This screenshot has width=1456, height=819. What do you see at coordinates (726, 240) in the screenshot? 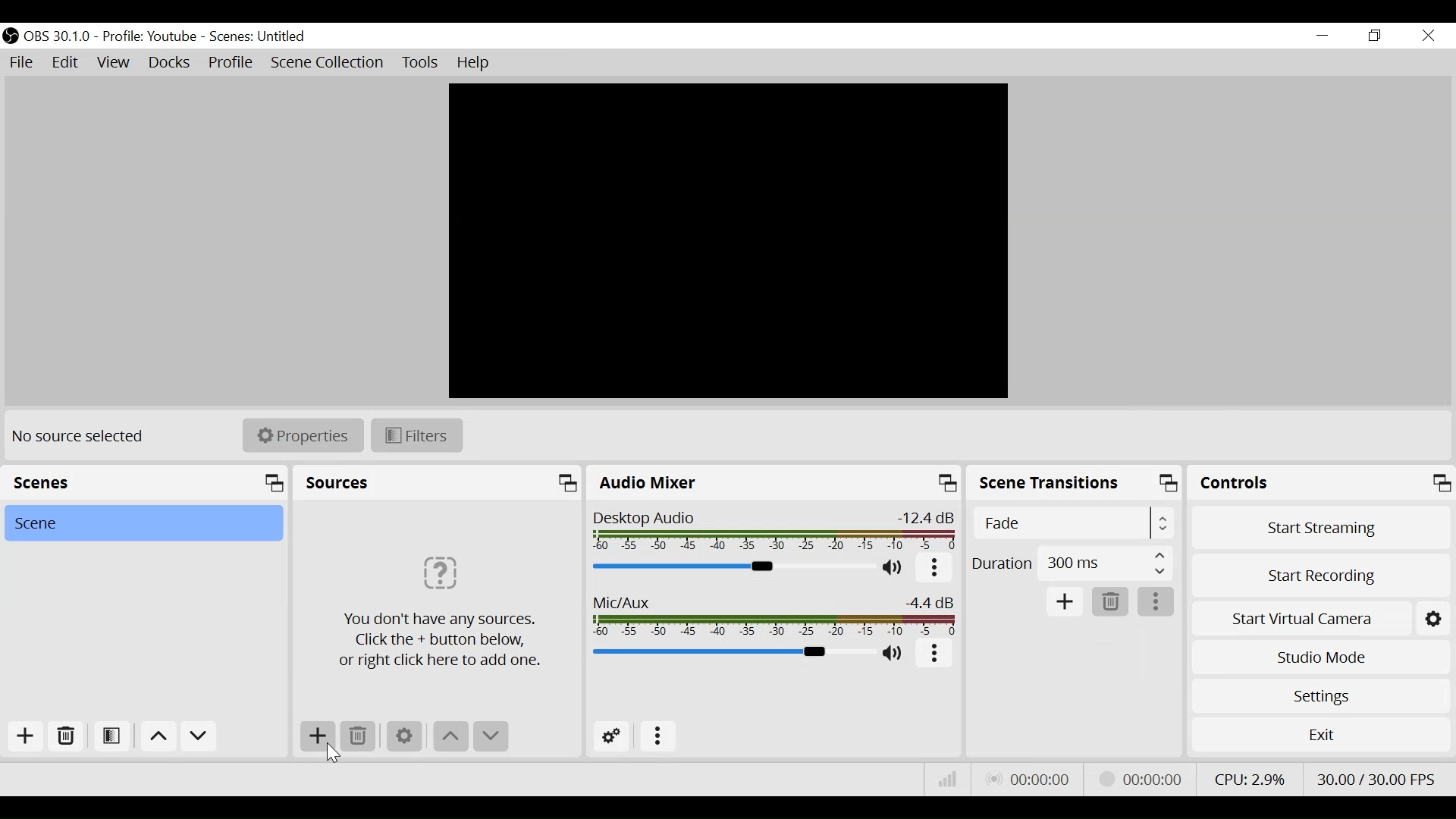
I see `Preview` at bounding box center [726, 240].